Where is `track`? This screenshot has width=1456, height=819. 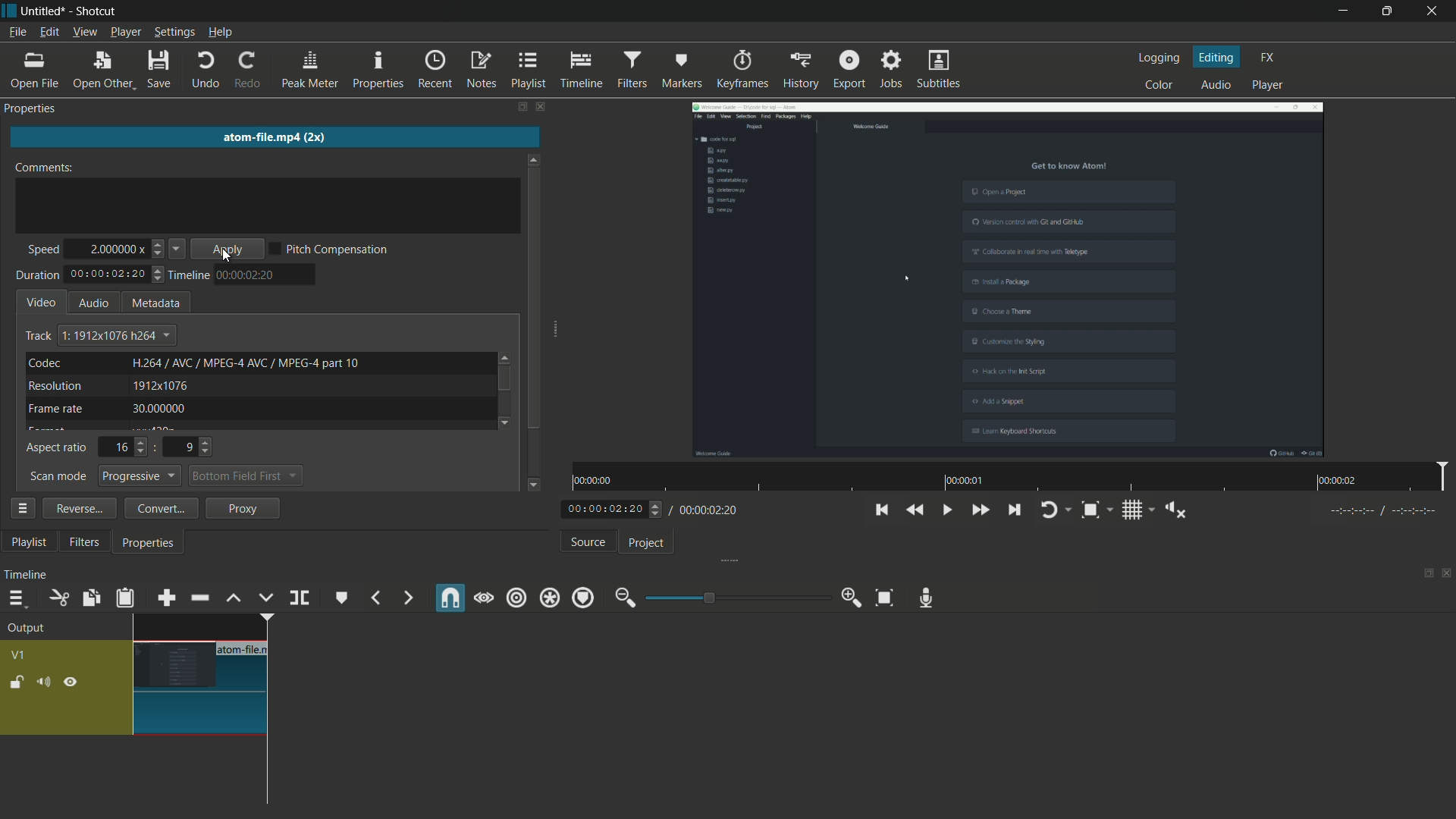
track is located at coordinates (38, 337).